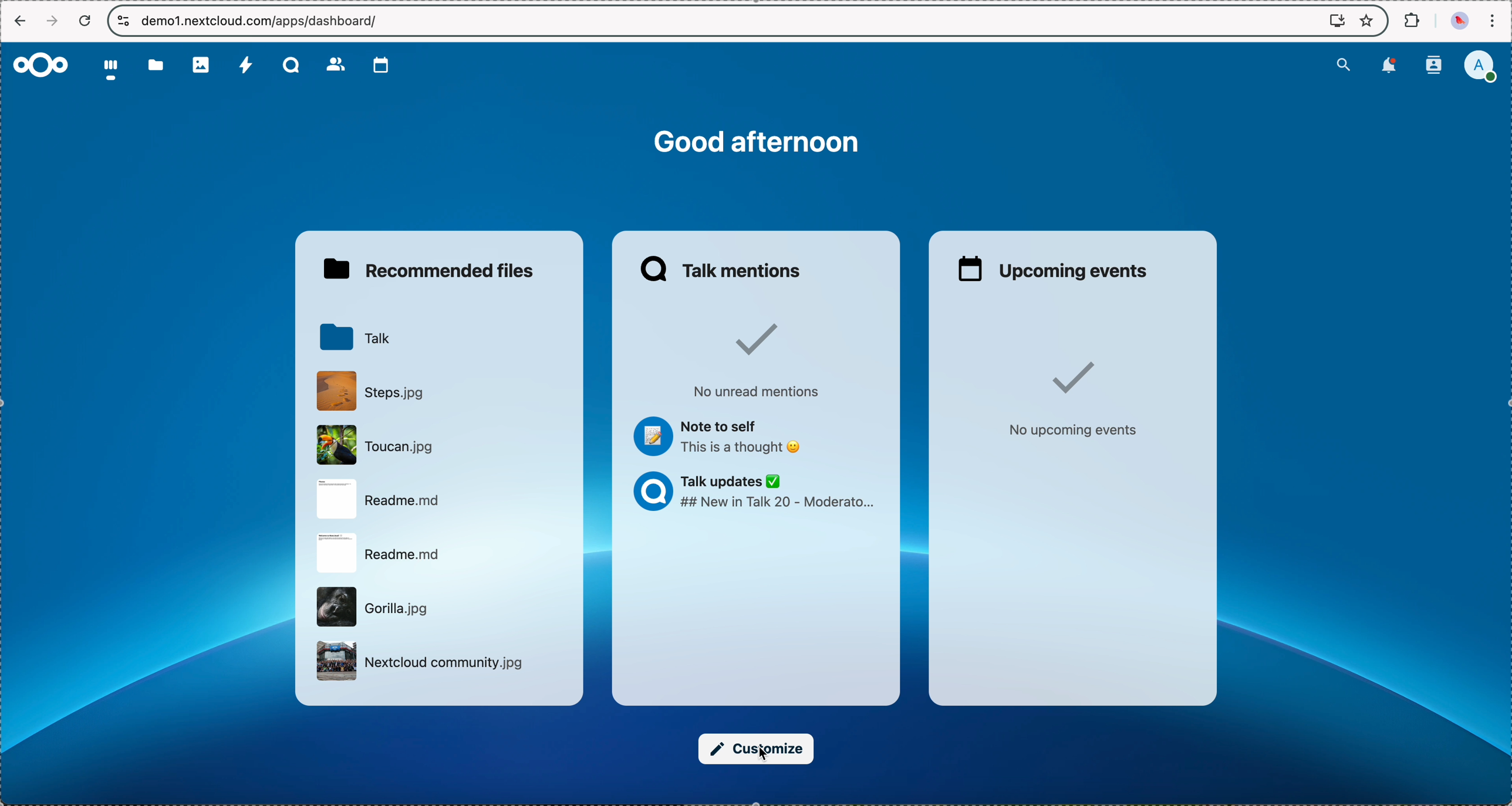 The width and height of the screenshot is (1512, 806). I want to click on recommended files, so click(434, 268).